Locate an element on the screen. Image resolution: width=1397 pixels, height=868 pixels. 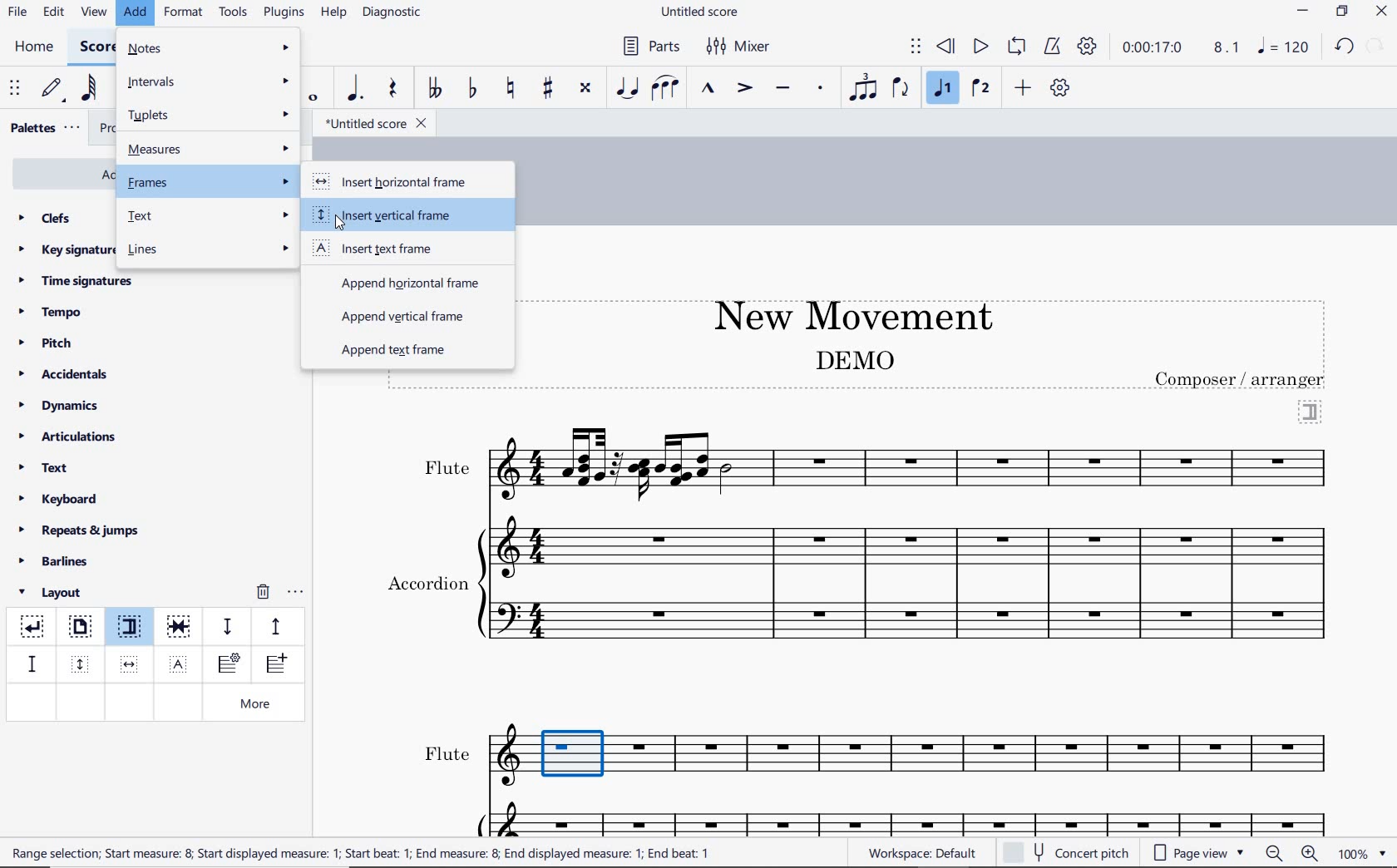
format is located at coordinates (185, 12).